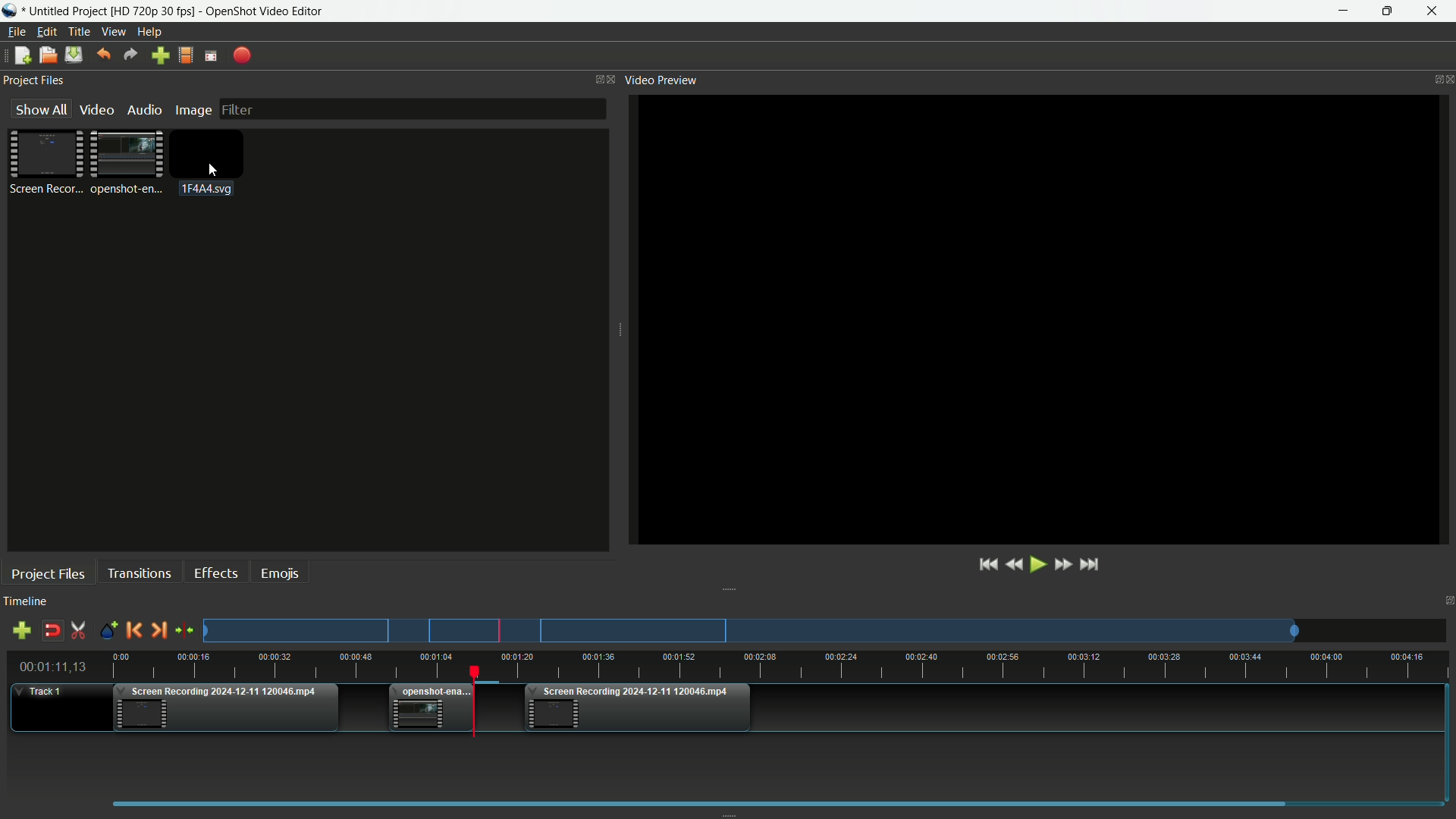 Image resolution: width=1456 pixels, height=819 pixels. Describe the element at coordinates (49, 161) in the screenshot. I see `Project file one` at that location.